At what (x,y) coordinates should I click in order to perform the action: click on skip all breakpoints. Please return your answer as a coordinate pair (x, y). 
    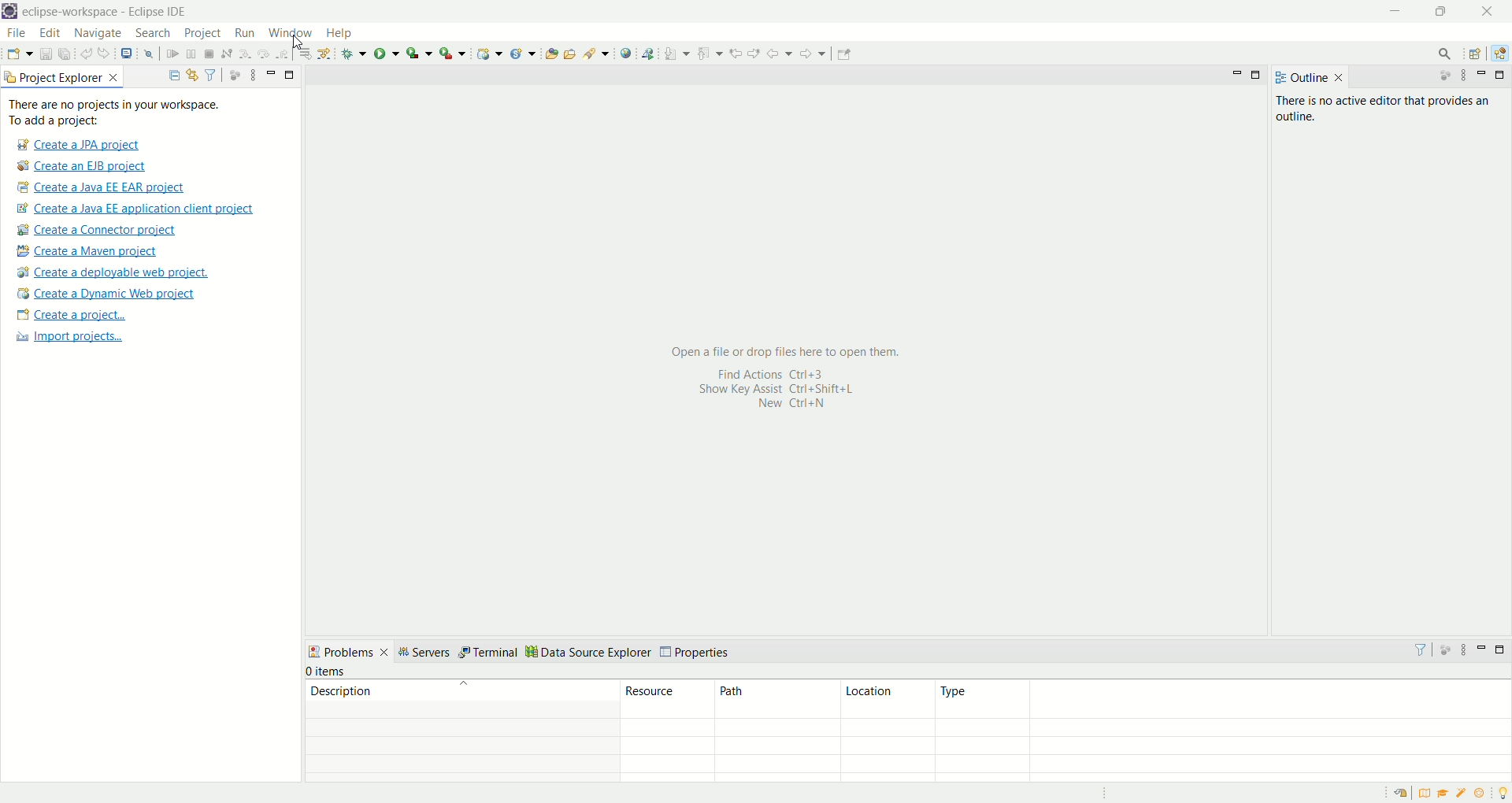
    Looking at the image, I should click on (151, 54).